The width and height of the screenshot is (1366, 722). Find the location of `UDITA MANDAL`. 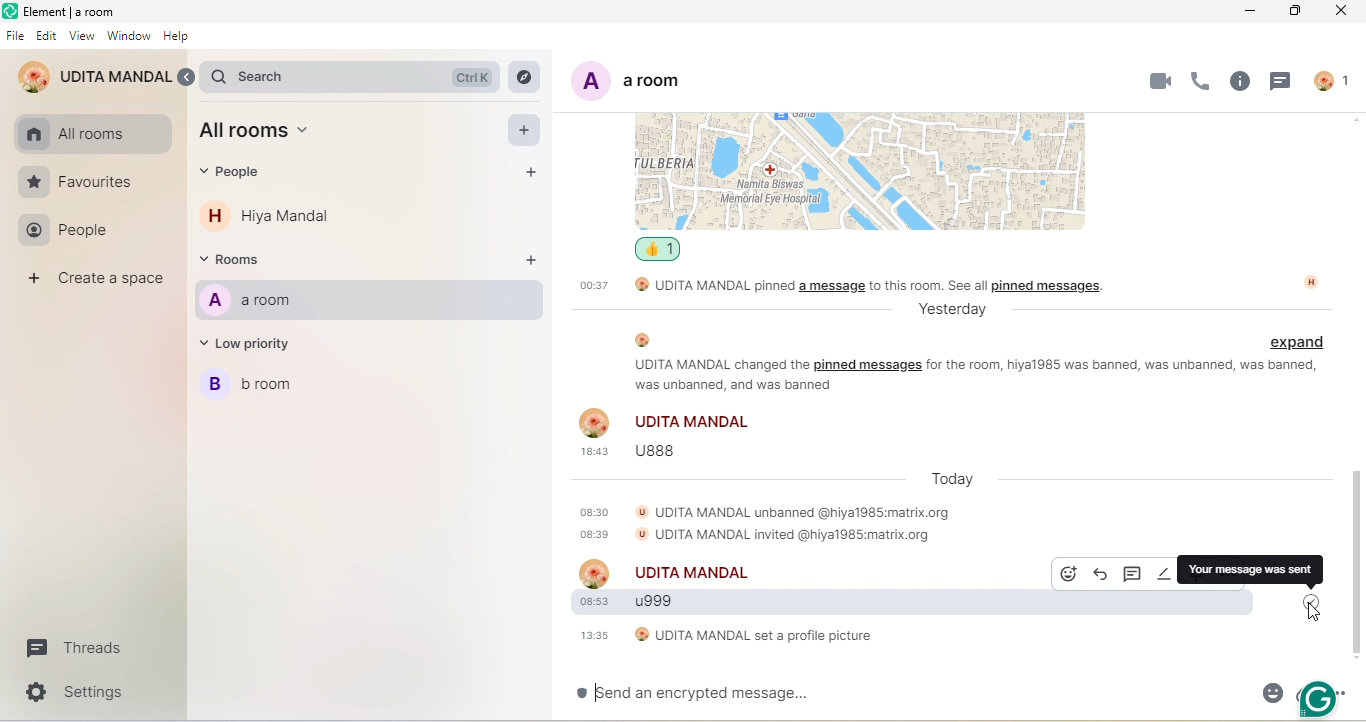

UDITA MANDAL is located at coordinates (669, 571).